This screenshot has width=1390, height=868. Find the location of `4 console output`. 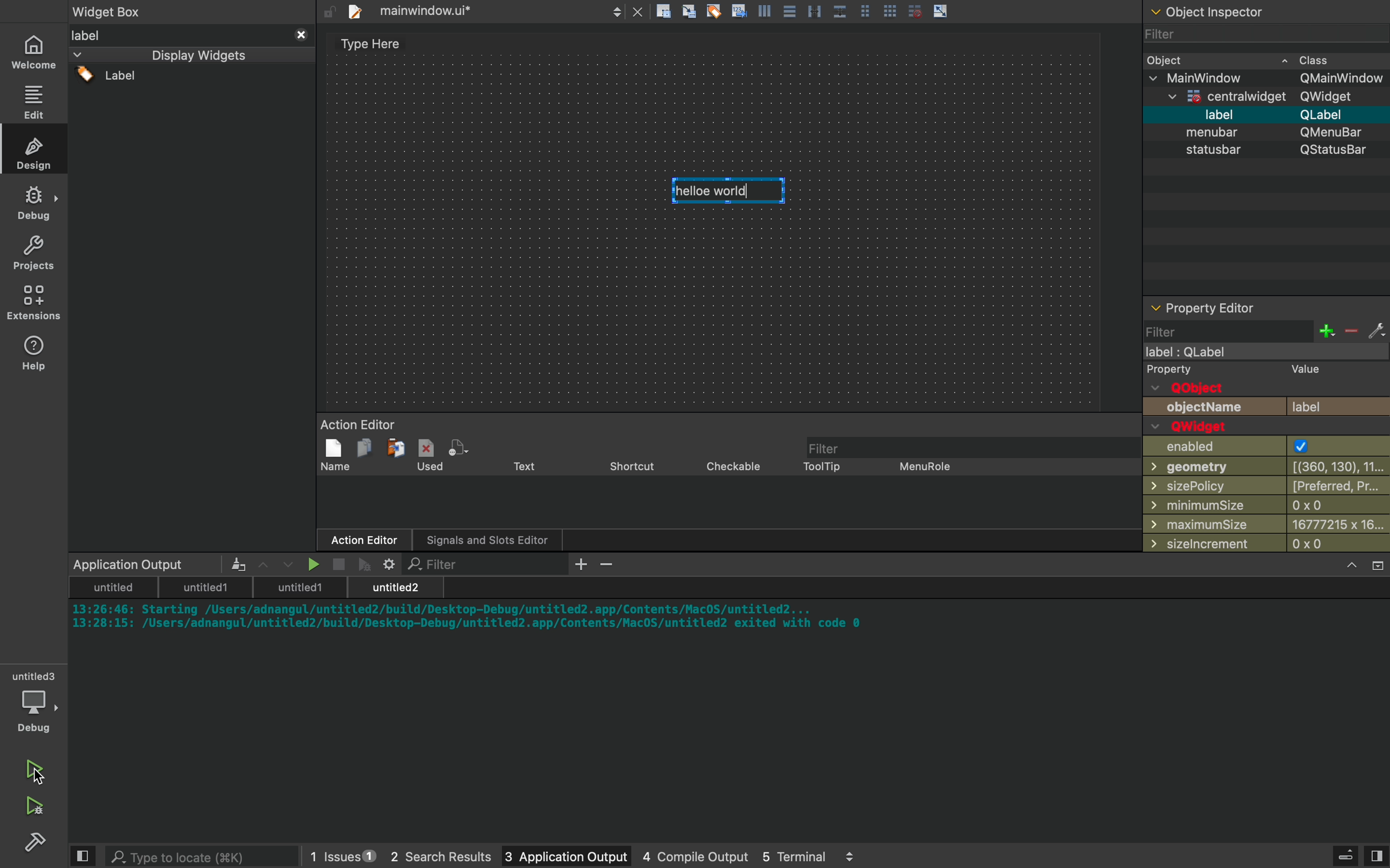

4 console output is located at coordinates (682, 857).